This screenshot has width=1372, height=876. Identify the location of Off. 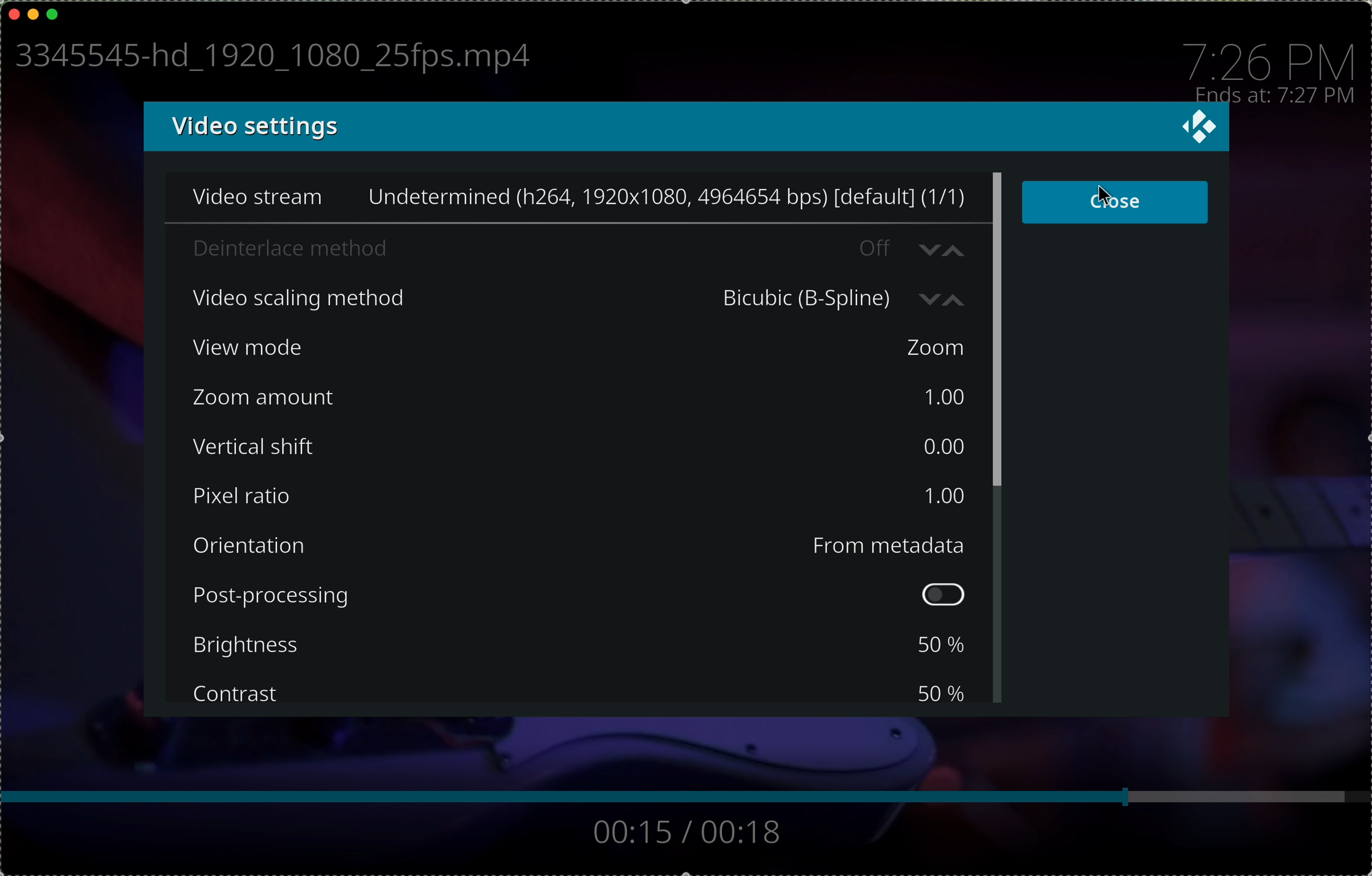
(909, 247).